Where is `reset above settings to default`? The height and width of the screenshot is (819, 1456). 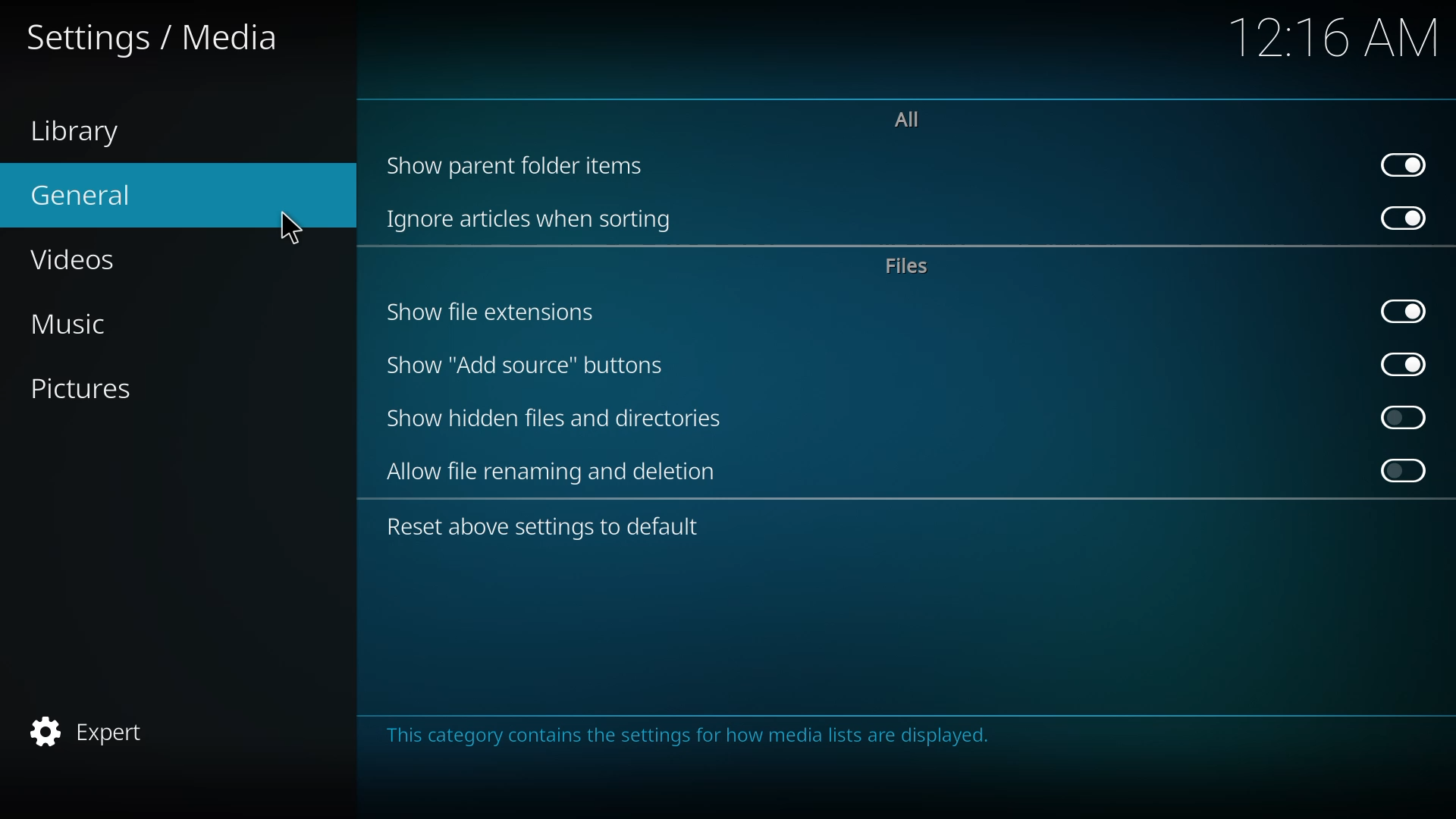 reset above settings to default is located at coordinates (548, 526).